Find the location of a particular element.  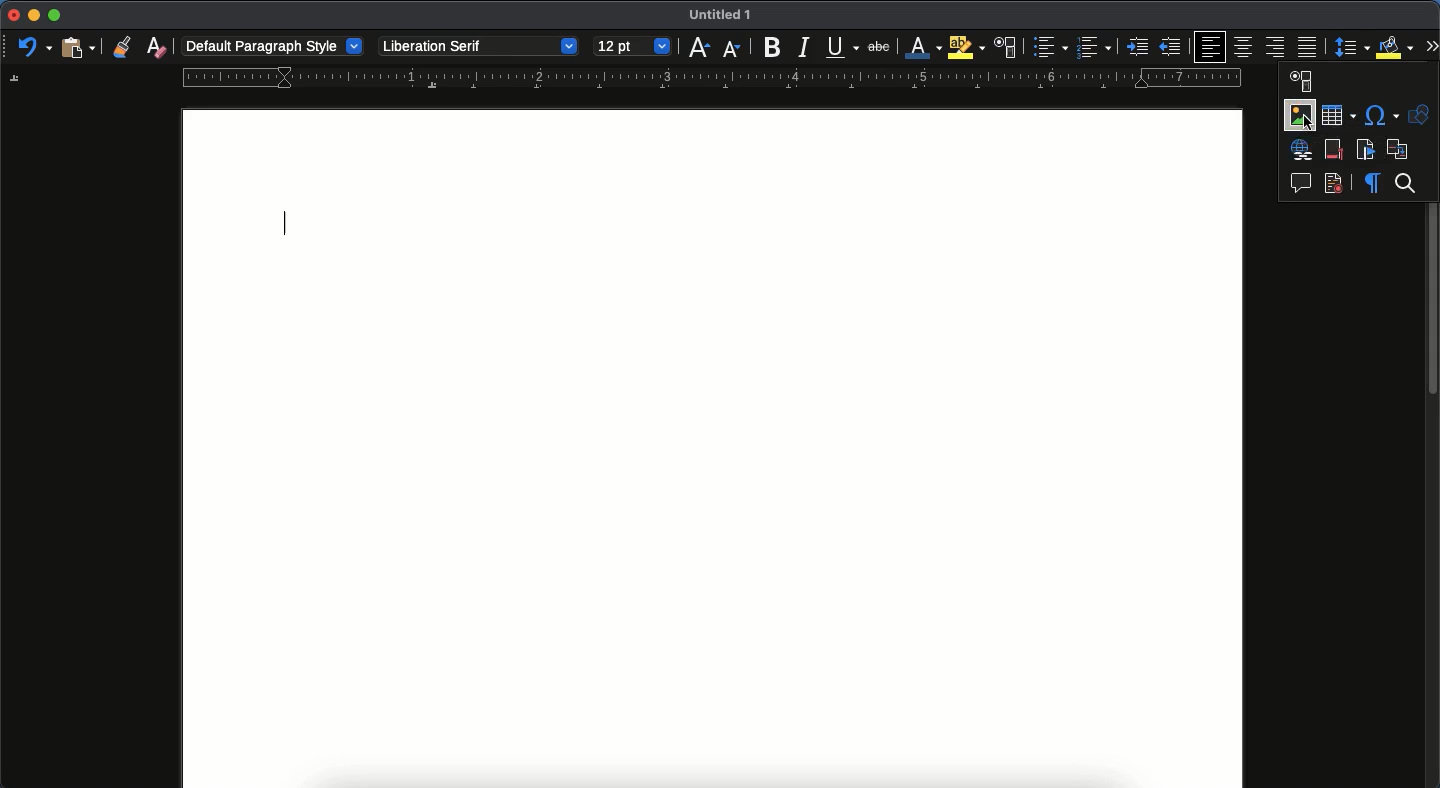

search is located at coordinates (1405, 184).